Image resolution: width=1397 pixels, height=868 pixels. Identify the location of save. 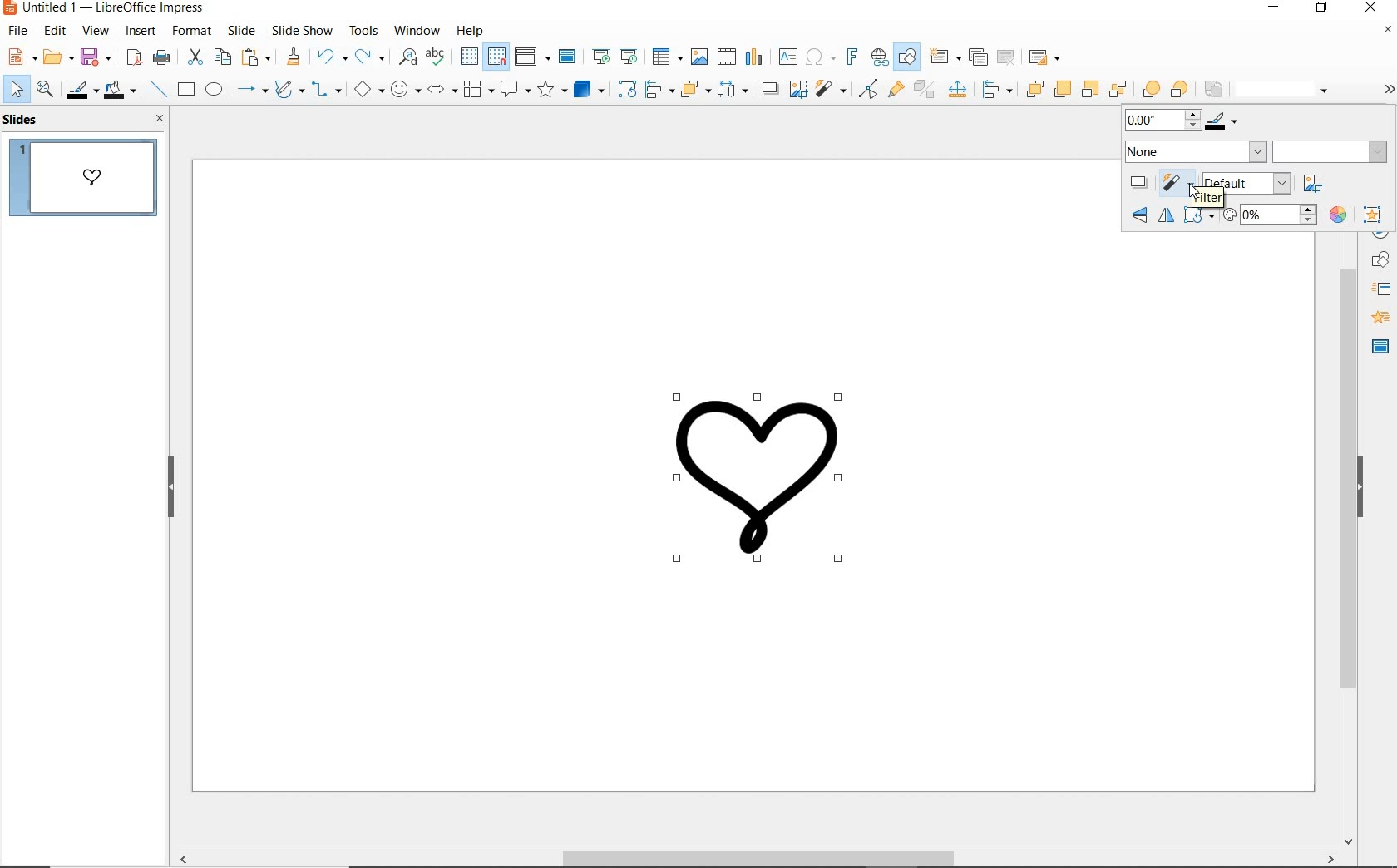
(96, 57).